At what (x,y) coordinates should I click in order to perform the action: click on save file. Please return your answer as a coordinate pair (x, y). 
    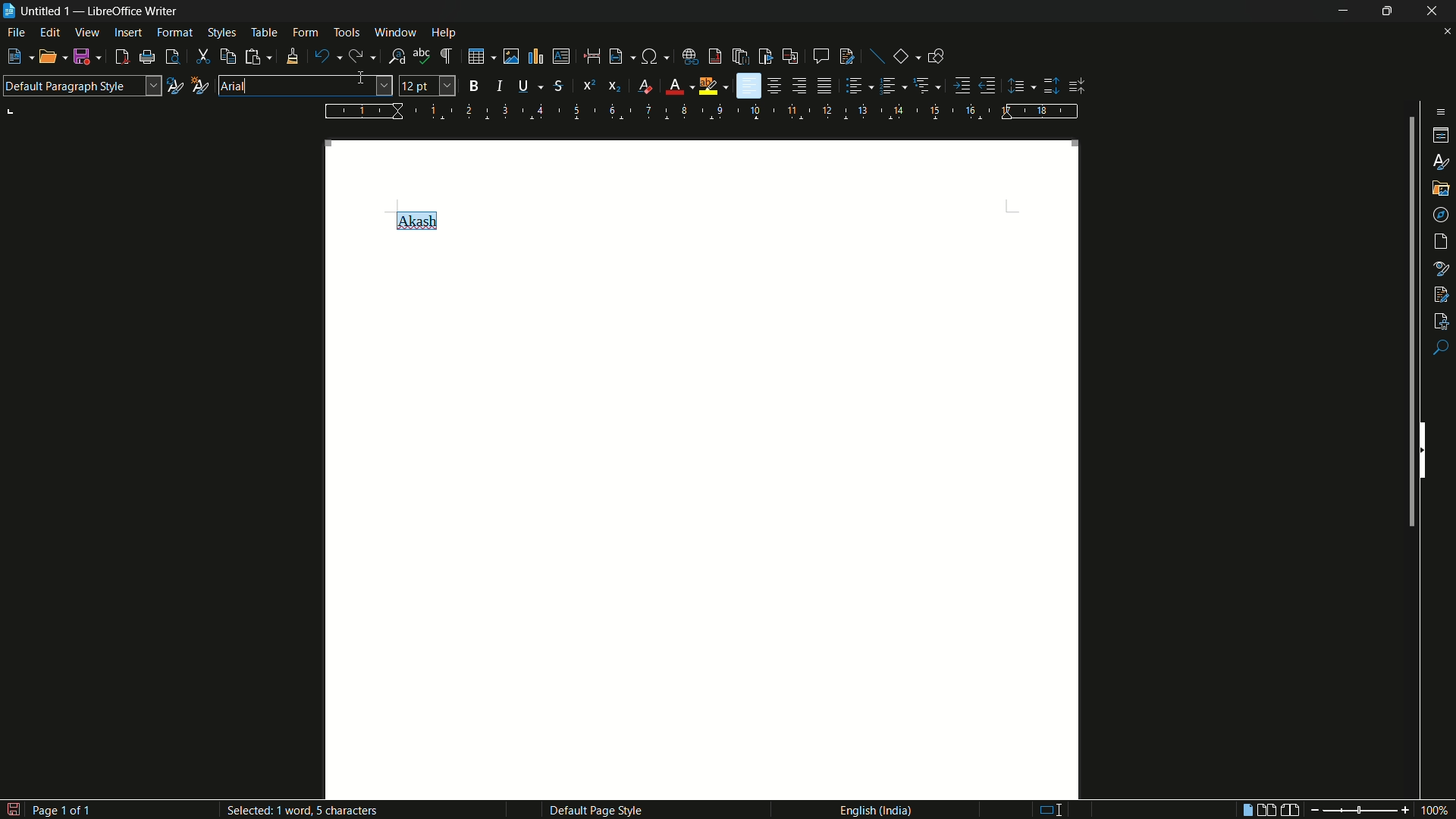
    Looking at the image, I should click on (83, 58).